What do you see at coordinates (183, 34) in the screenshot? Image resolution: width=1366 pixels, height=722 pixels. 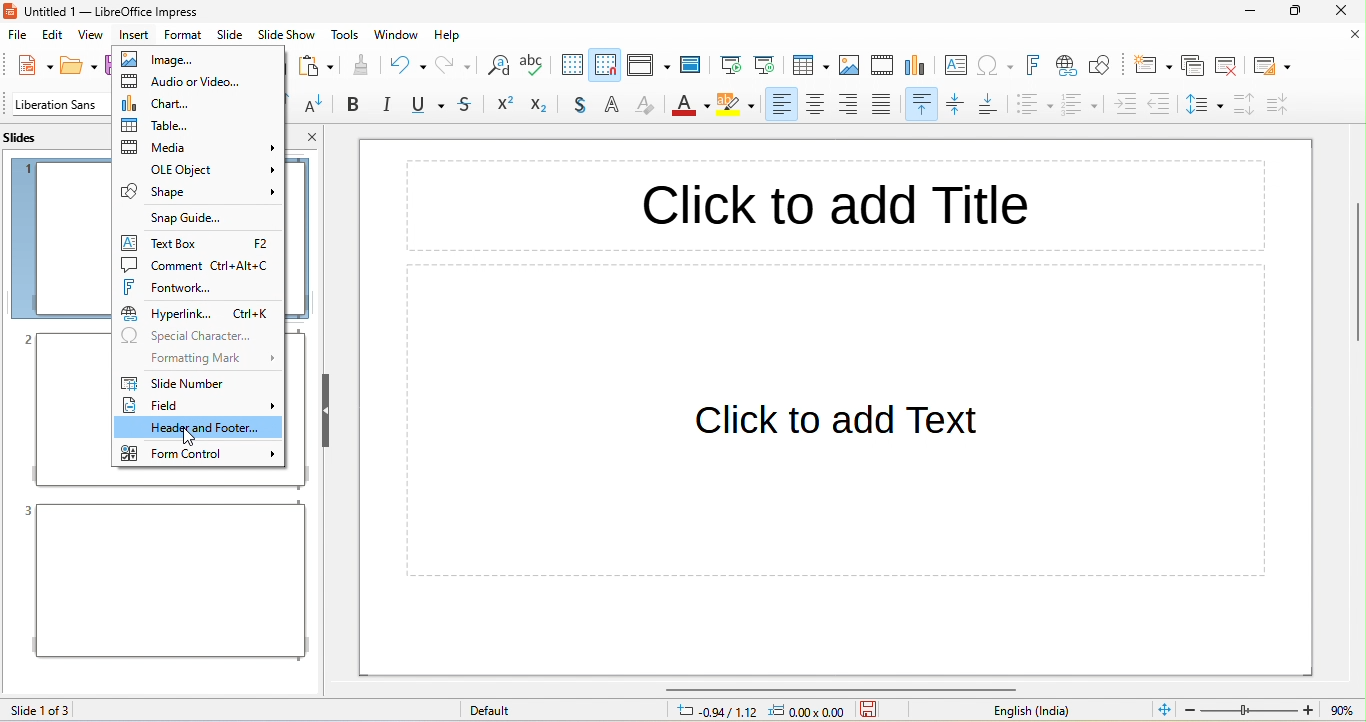 I see `format` at bounding box center [183, 34].